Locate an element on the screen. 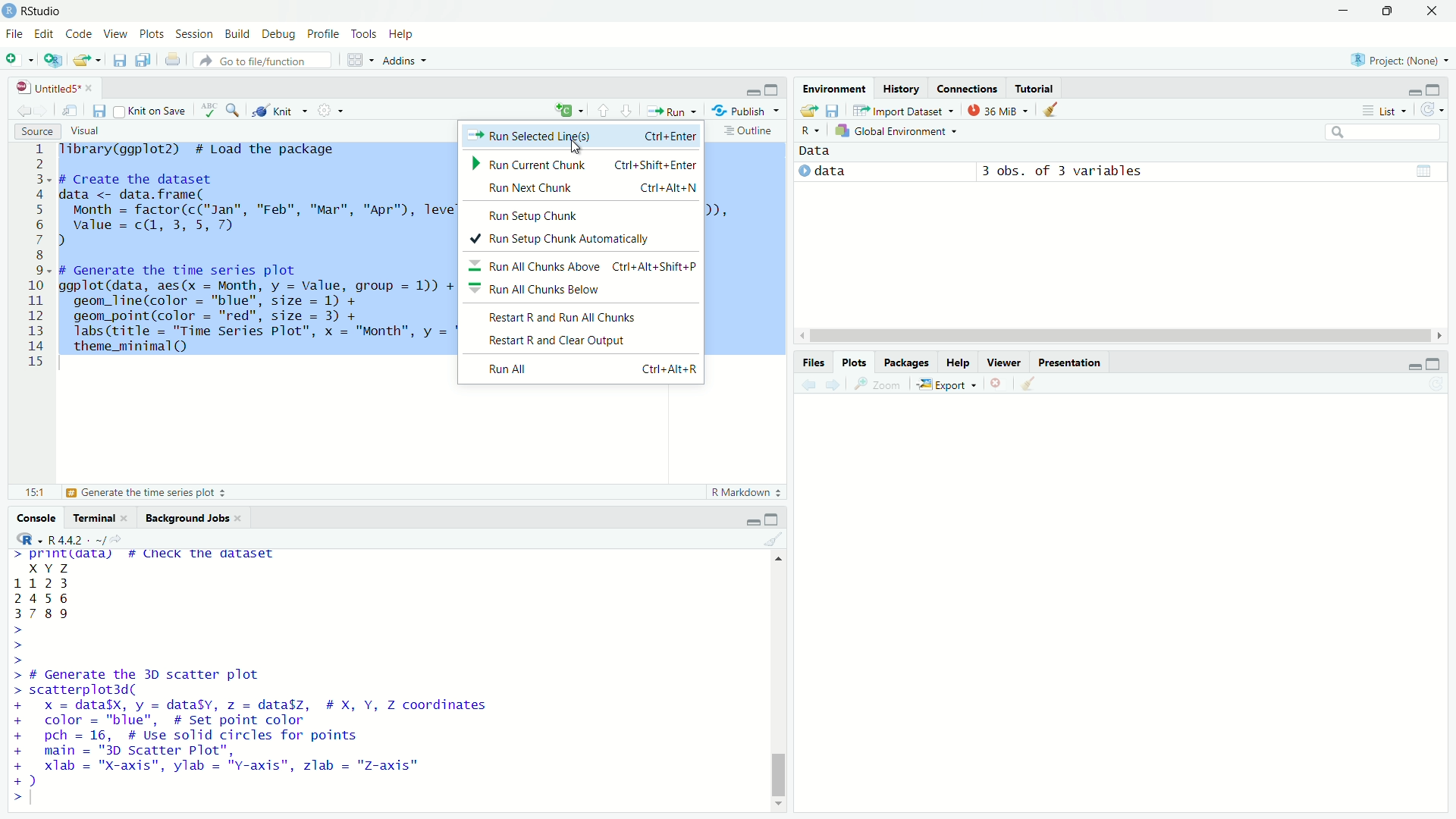 The image size is (1456, 819). clear all plots is located at coordinates (1030, 385).